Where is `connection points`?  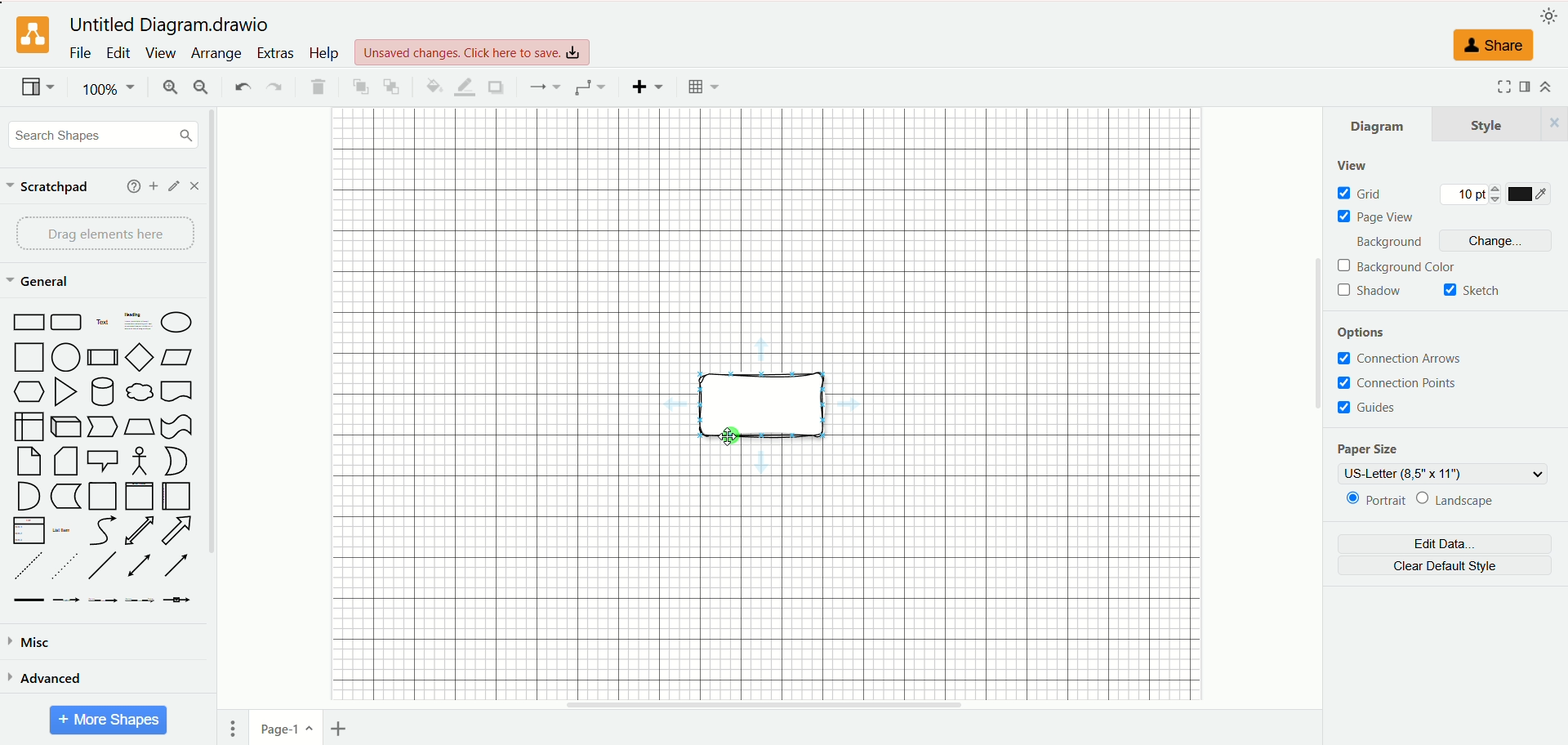
connection points is located at coordinates (1397, 384).